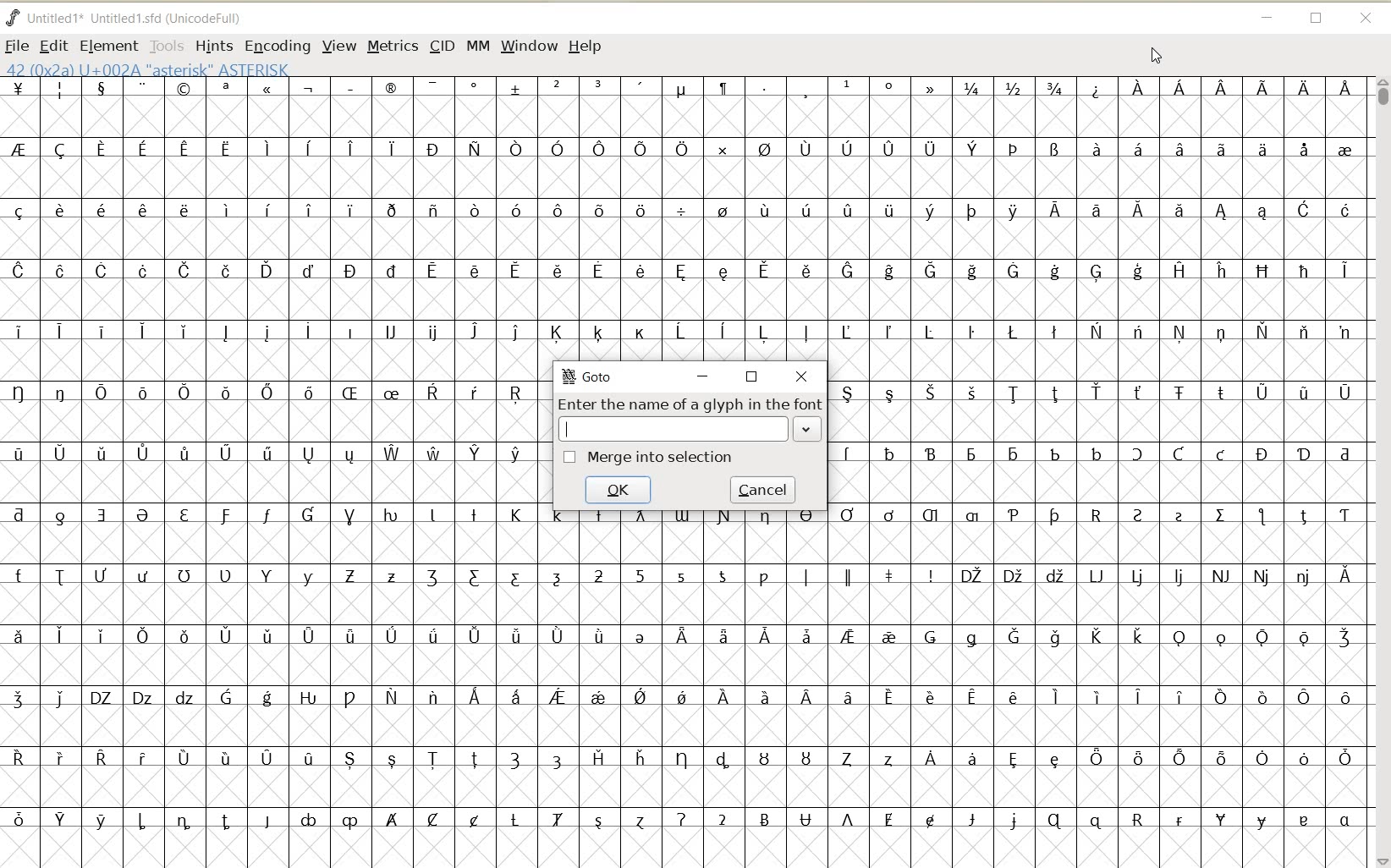 Image resolution: width=1391 pixels, height=868 pixels. I want to click on CLOSE, so click(1365, 18).